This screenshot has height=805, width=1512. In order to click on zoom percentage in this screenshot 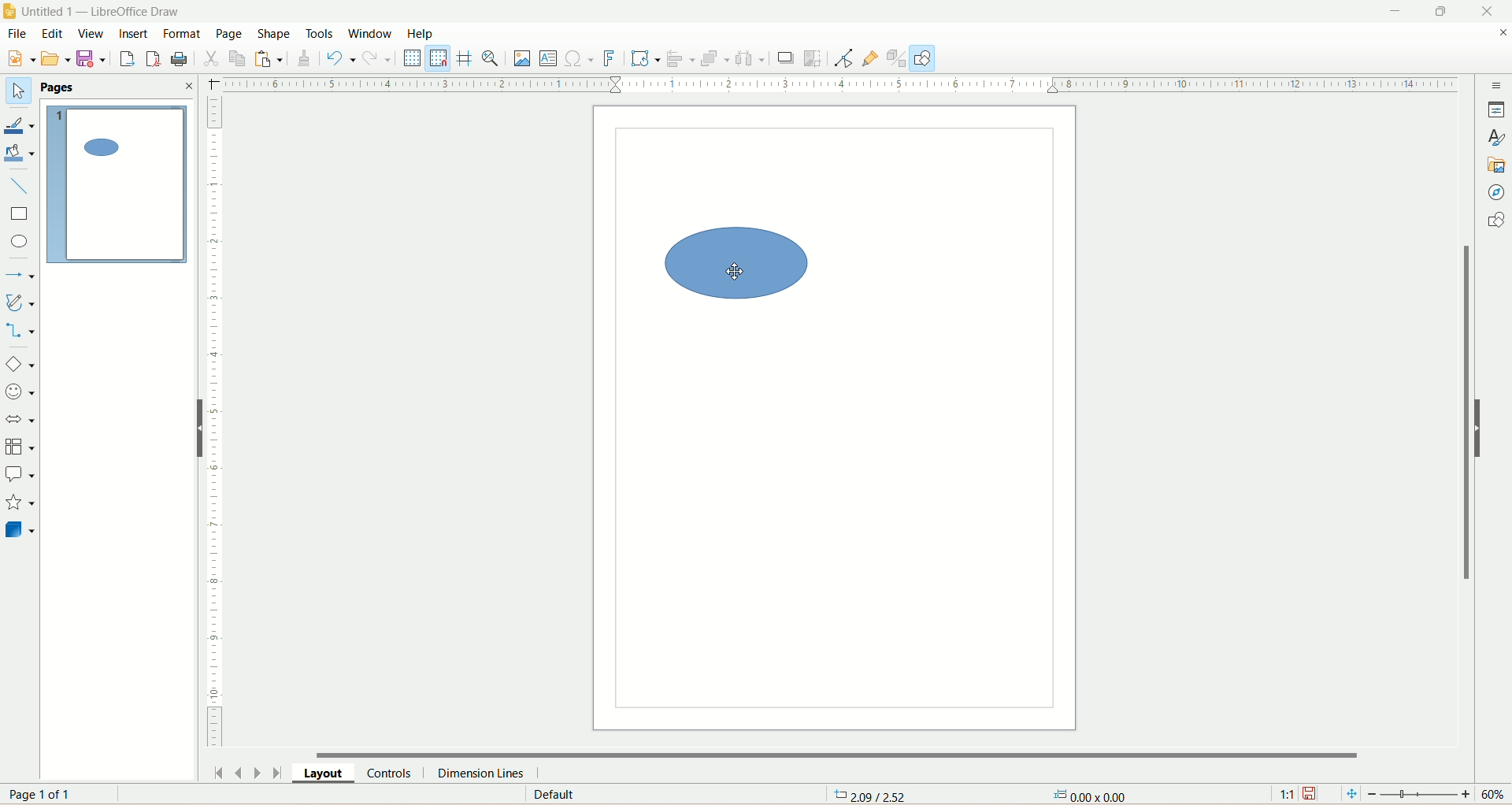, I will do `click(1496, 795)`.